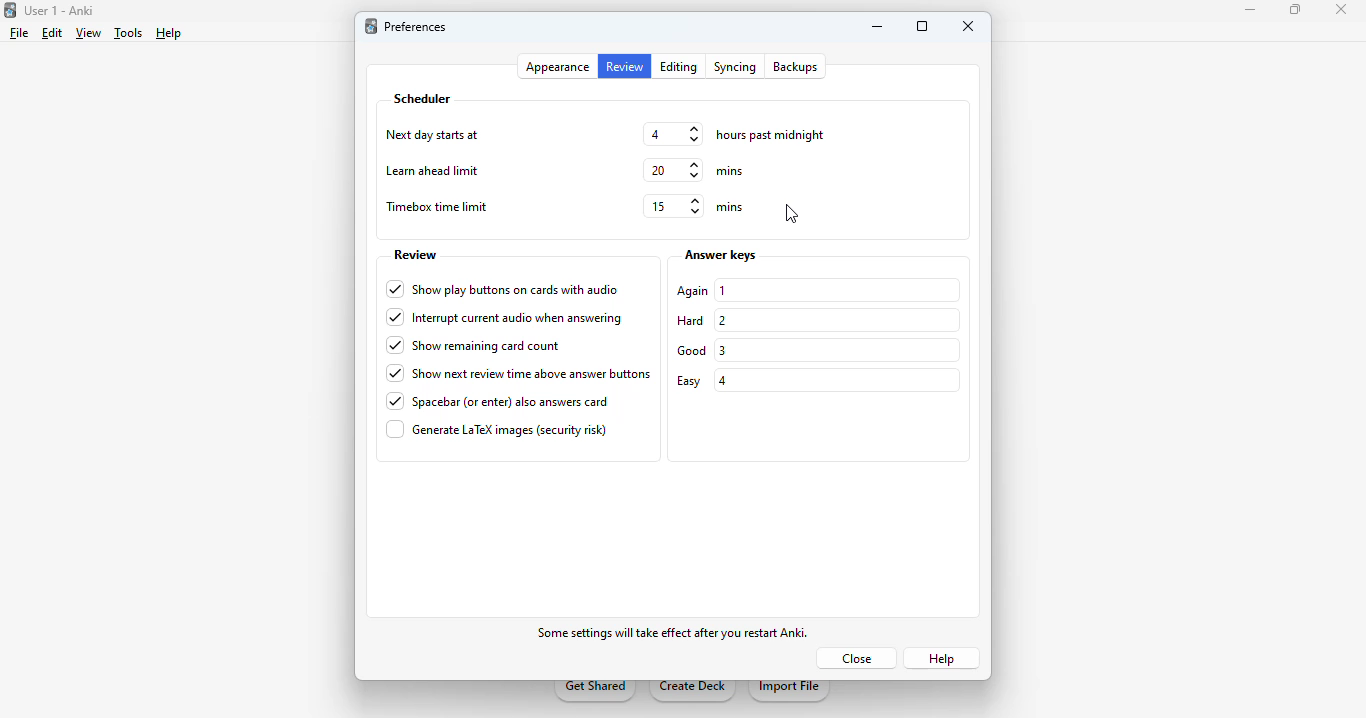  What do you see at coordinates (676, 634) in the screenshot?
I see `some effects will take effect after you restart Anki` at bounding box center [676, 634].